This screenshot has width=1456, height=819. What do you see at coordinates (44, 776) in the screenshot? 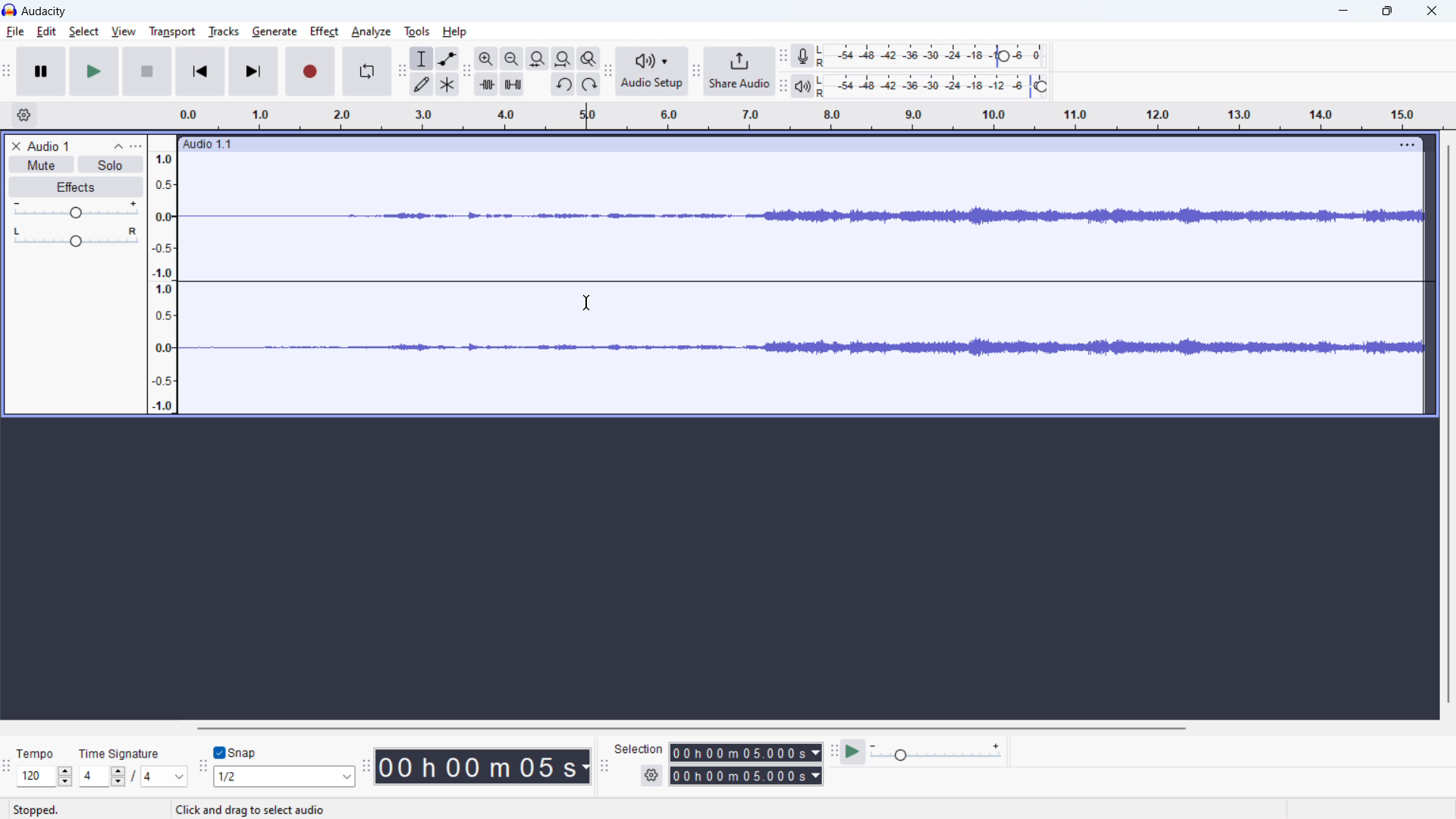
I see `select tempo` at bounding box center [44, 776].